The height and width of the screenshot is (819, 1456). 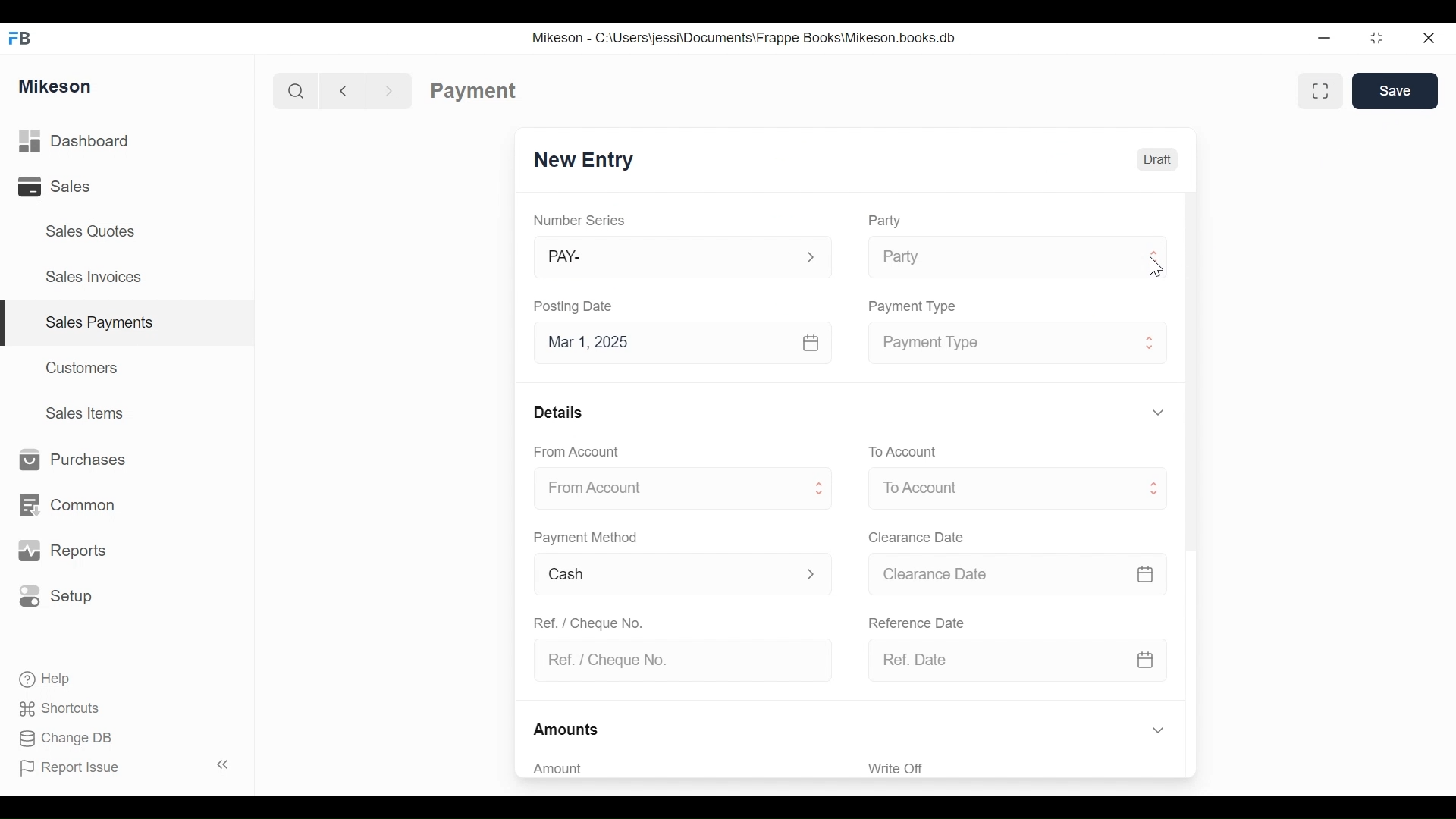 I want to click on Party, so click(x=889, y=221).